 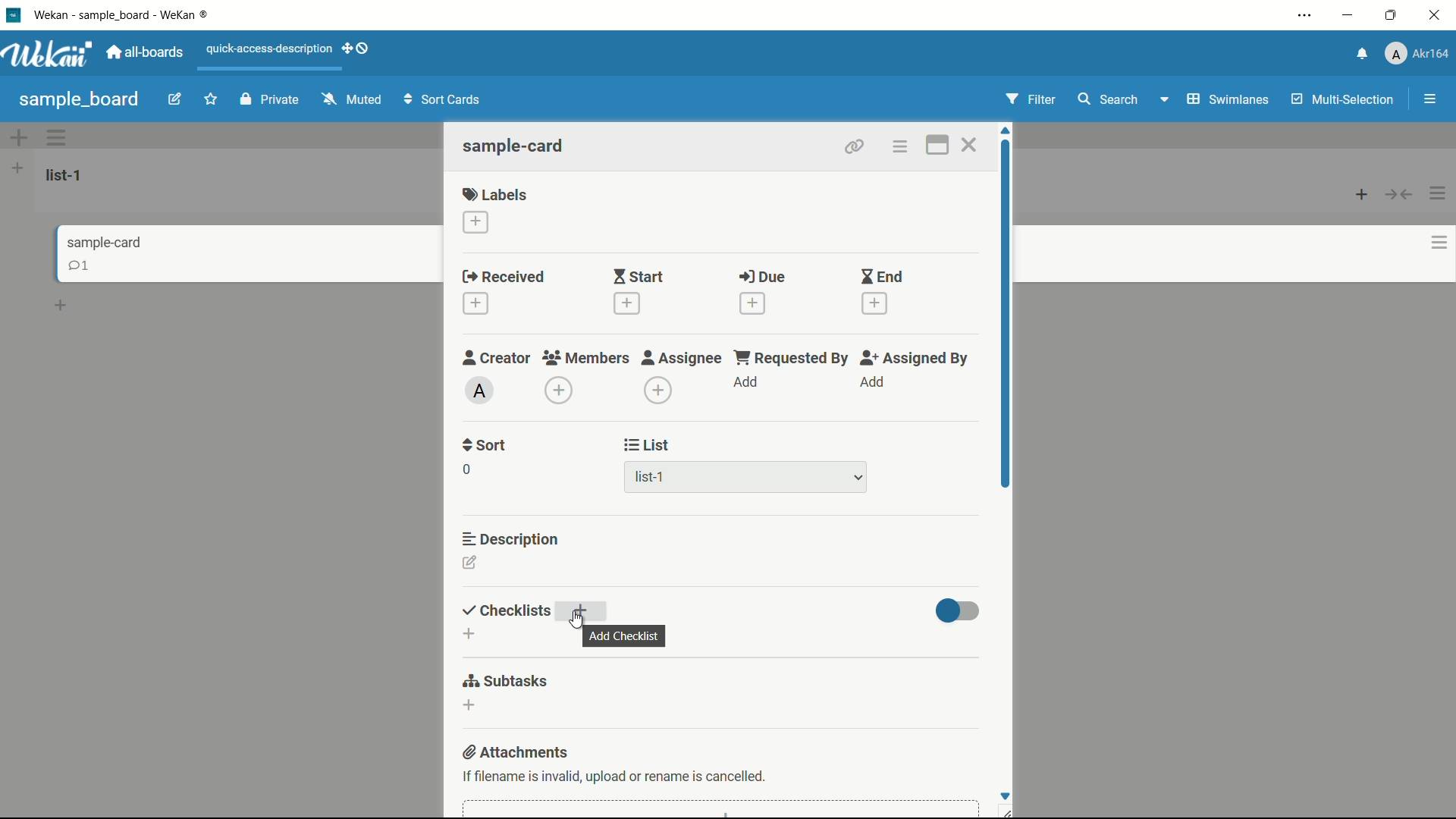 I want to click on  Muted, so click(x=353, y=99).